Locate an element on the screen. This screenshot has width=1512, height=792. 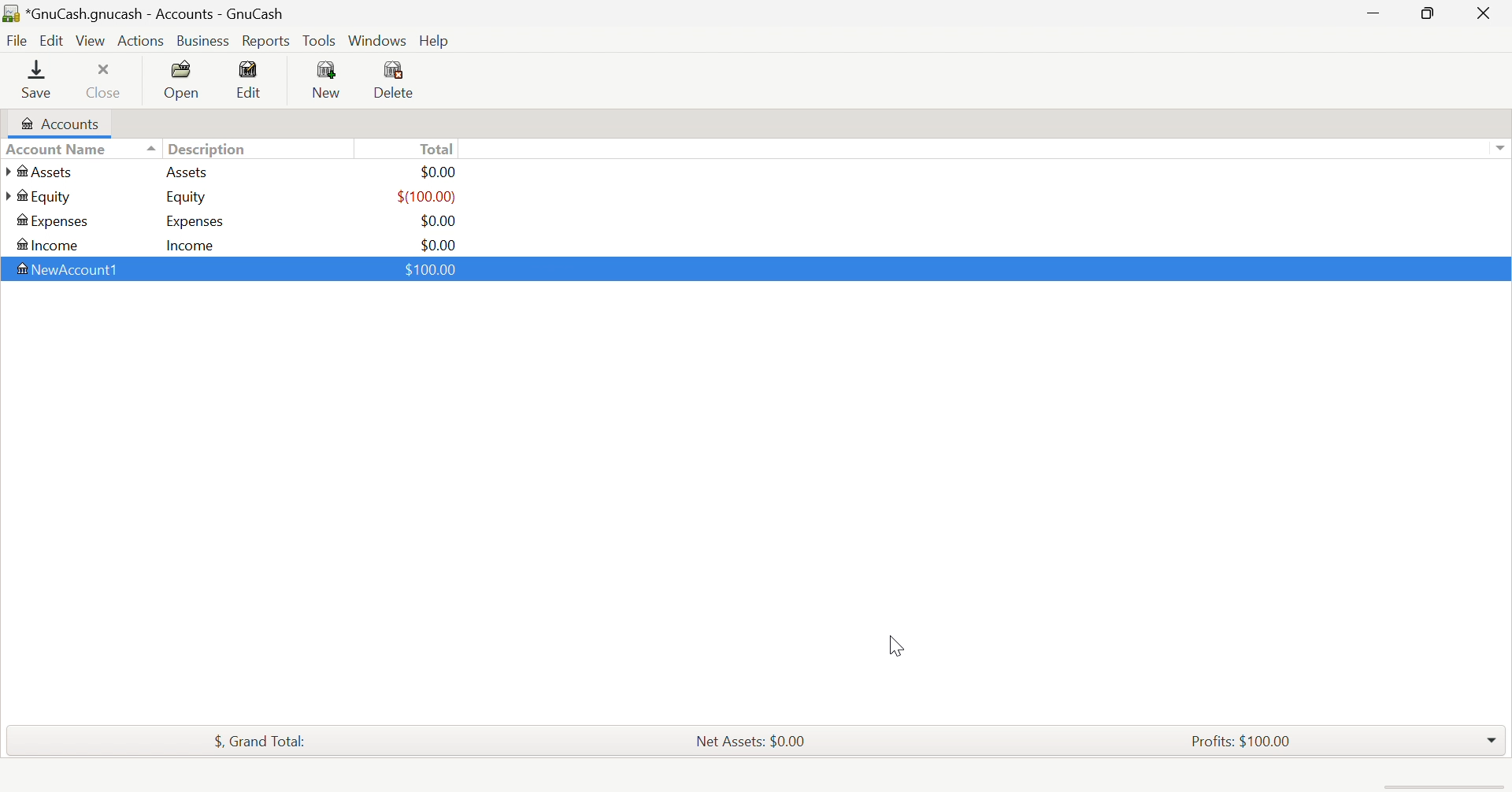
Close is located at coordinates (107, 80).